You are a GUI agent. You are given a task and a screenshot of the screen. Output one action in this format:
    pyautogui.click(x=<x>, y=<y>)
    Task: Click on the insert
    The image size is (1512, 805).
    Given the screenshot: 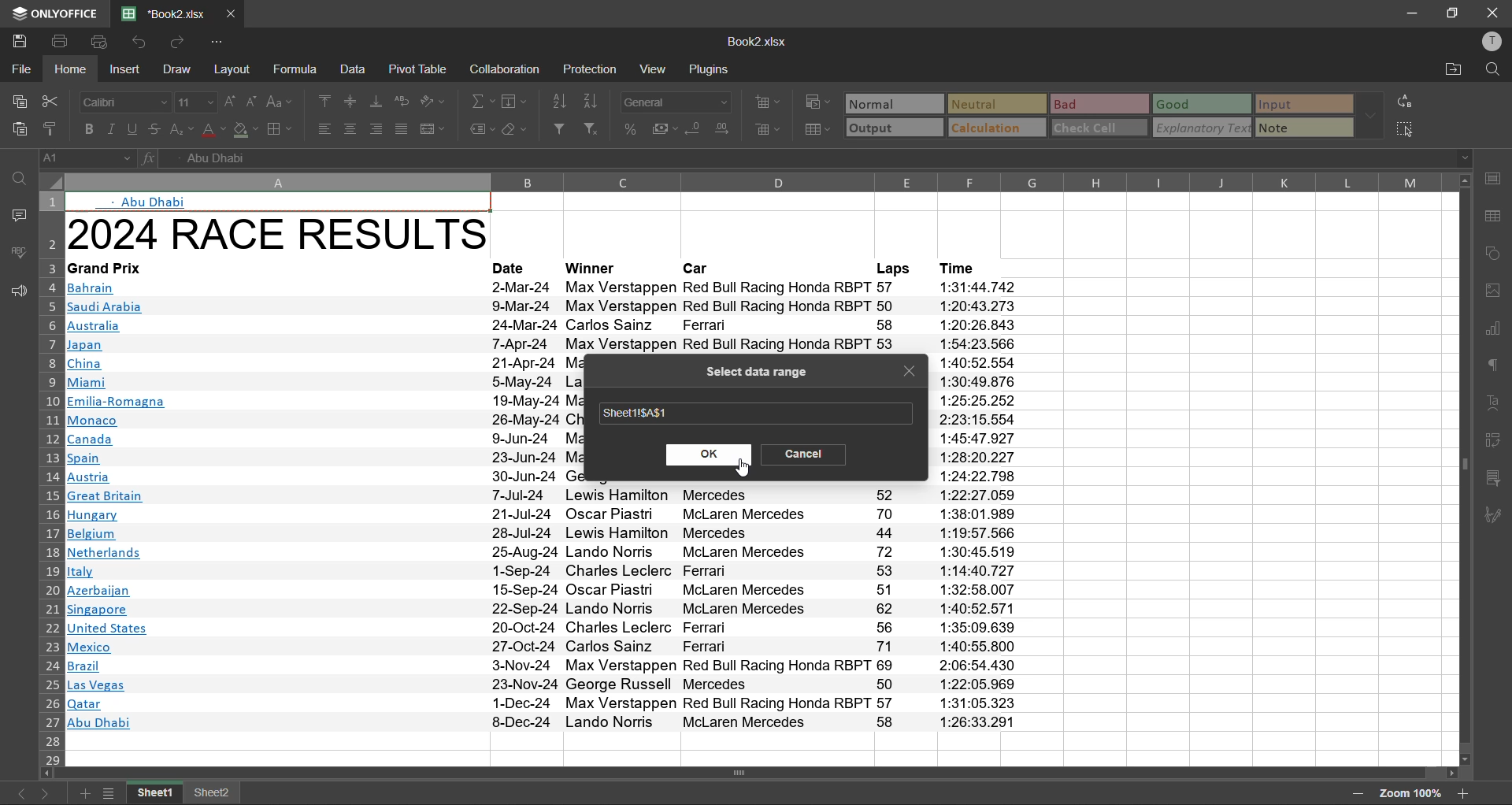 What is the action you would take?
    pyautogui.click(x=122, y=69)
    